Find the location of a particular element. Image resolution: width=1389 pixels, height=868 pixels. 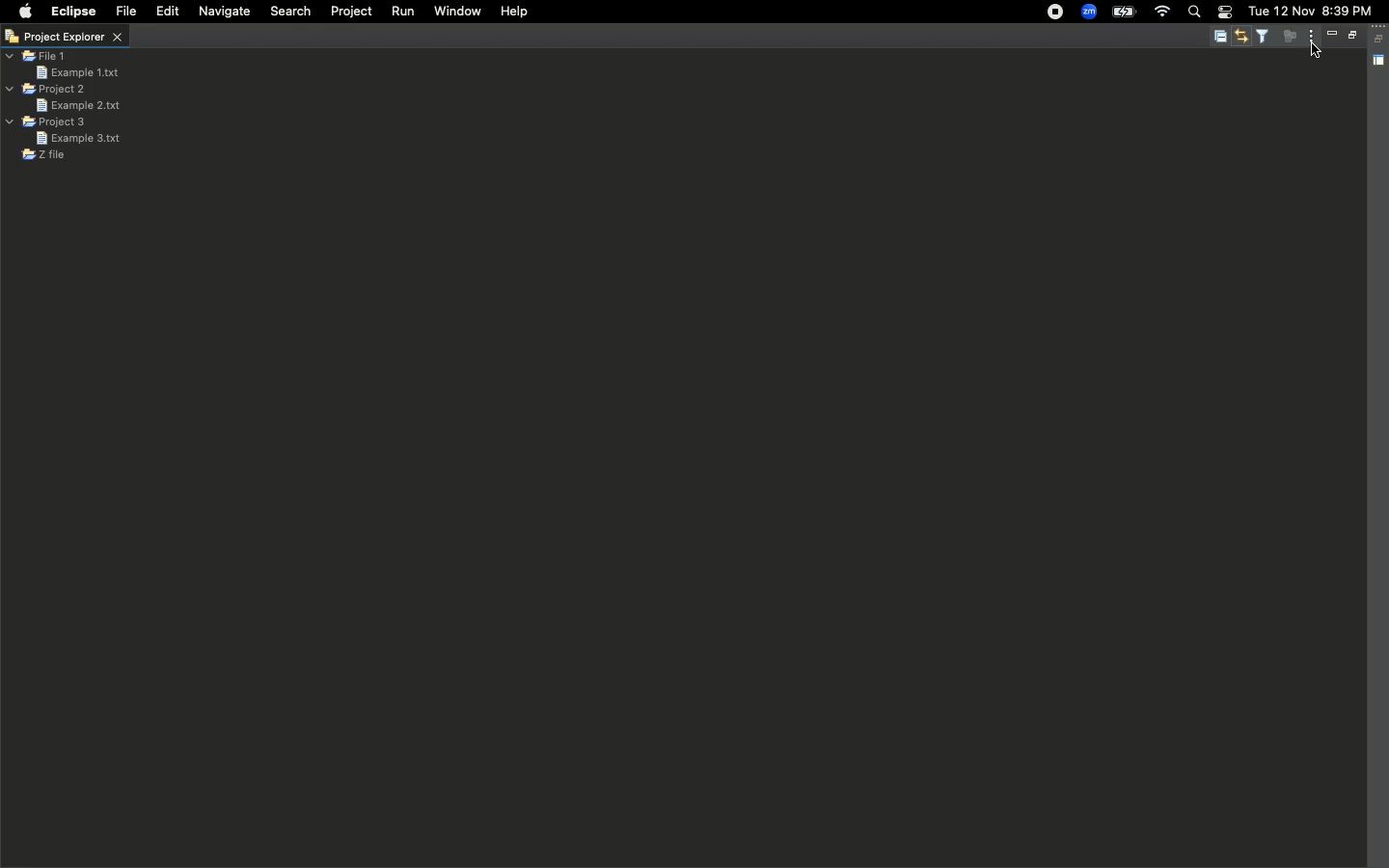

Maximize is located at coordinates (1350, 37).